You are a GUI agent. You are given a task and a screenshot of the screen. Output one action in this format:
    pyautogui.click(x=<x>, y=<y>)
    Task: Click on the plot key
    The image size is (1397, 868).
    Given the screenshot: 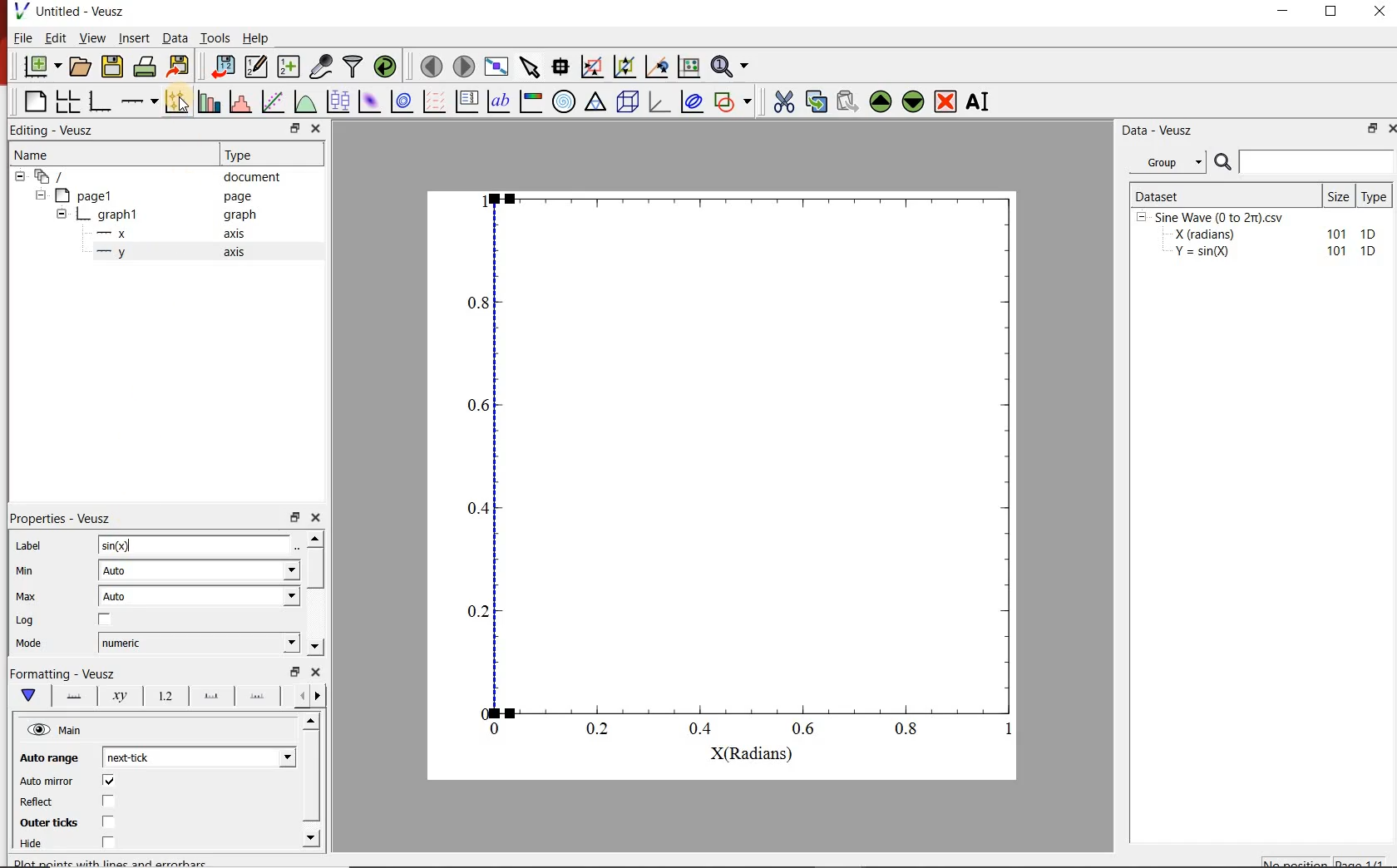 What is the action you would take?
    pyautogui.click(x=468, y=101)
    